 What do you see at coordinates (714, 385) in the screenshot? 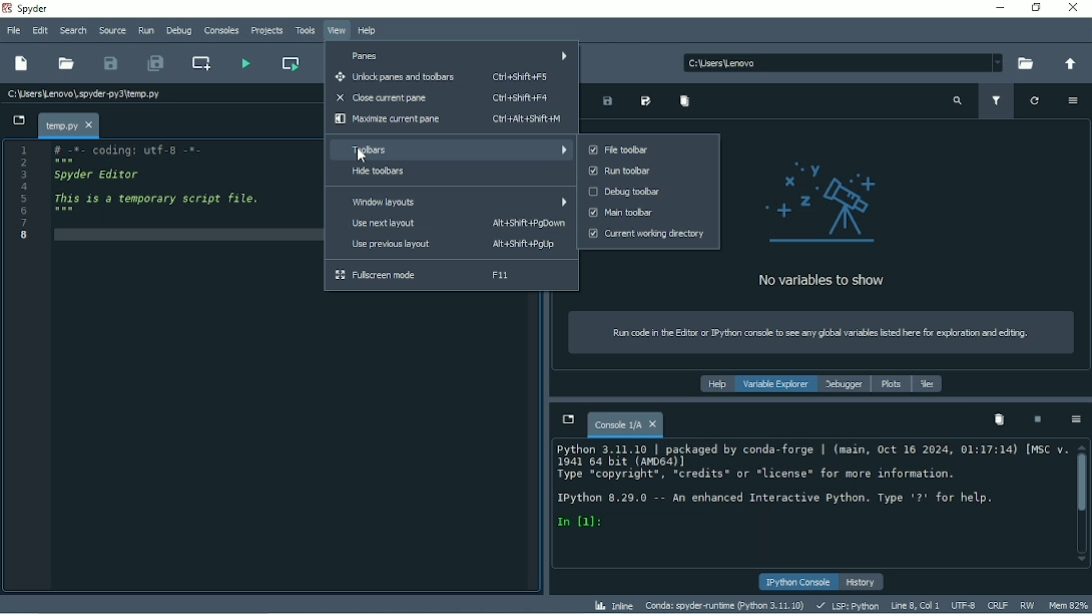
I see `Help` at bounding box center [714, 385].